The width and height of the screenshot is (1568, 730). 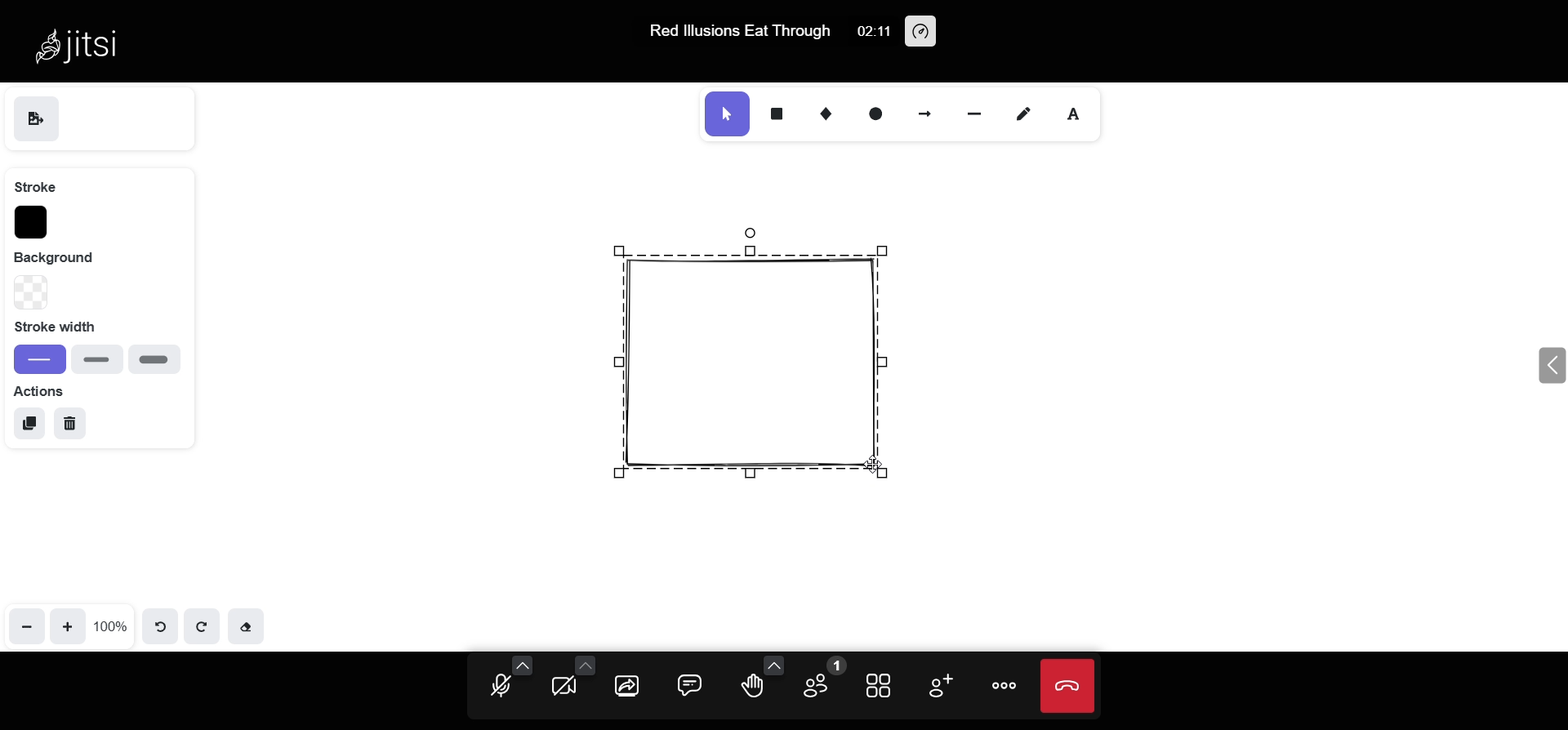 What do you see at coordinates (43, 358) in the screenshot?
I see `thin` at bounding box center [43, 358].